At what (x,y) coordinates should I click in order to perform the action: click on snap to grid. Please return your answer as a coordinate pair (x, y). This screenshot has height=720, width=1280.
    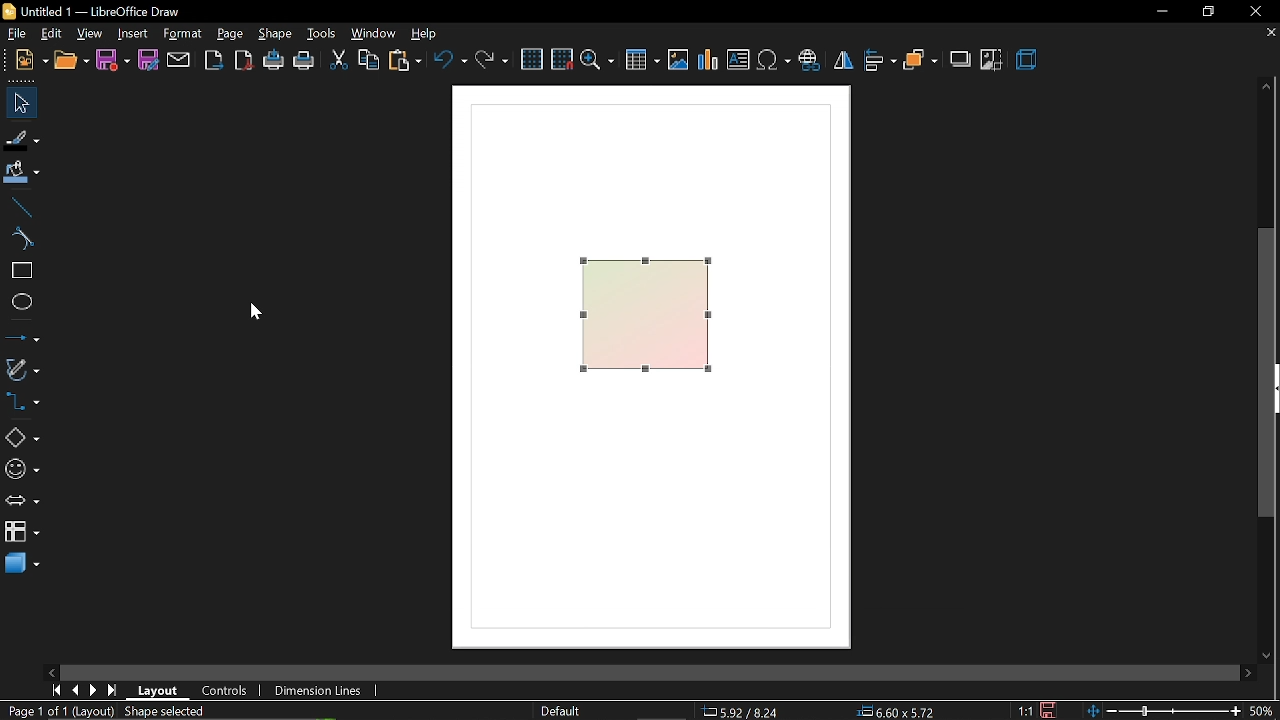
    Looking at the image, I should click on (562, 61).